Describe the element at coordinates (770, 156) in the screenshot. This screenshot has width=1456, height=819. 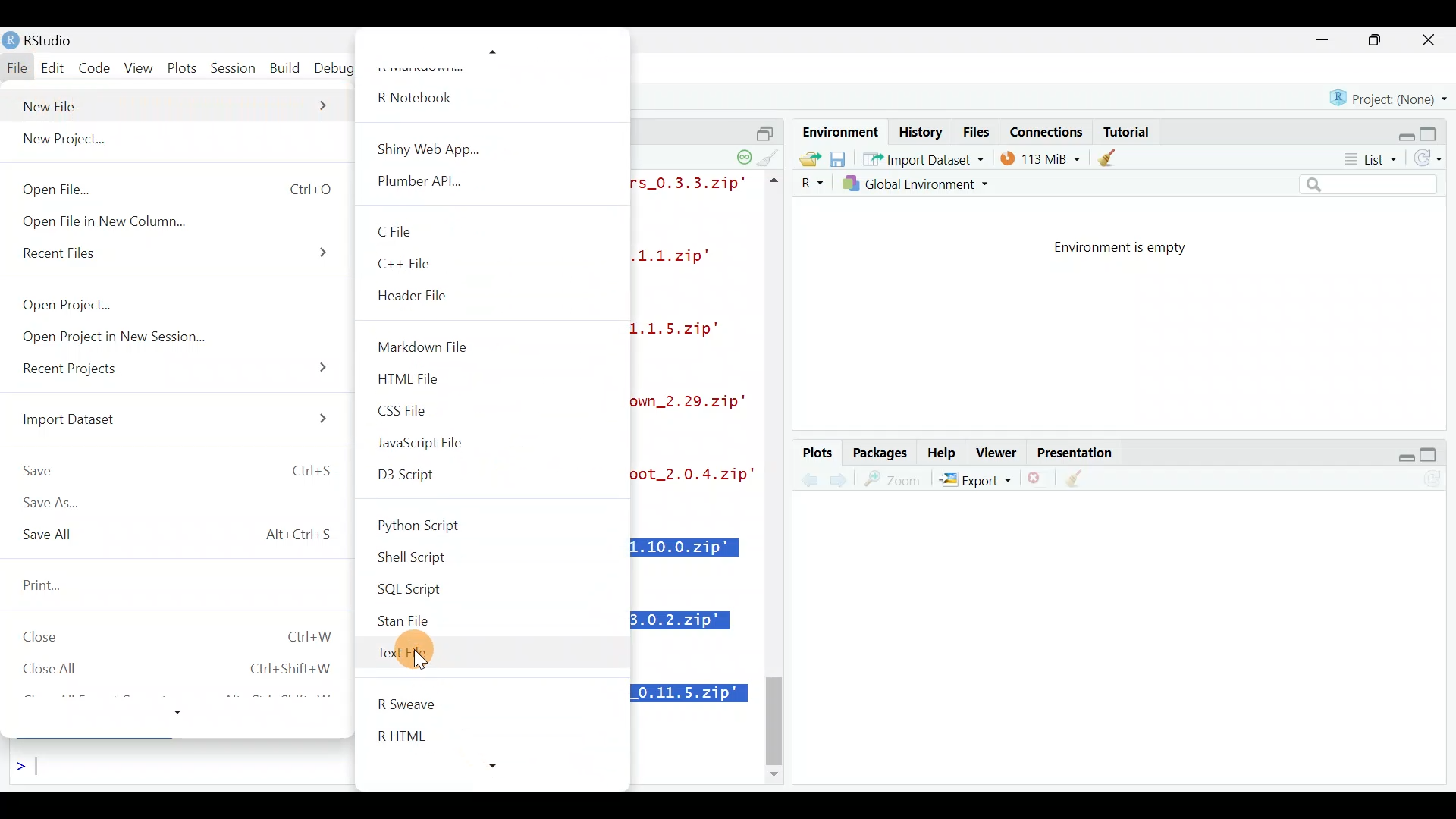
I see `clear console` at that location.